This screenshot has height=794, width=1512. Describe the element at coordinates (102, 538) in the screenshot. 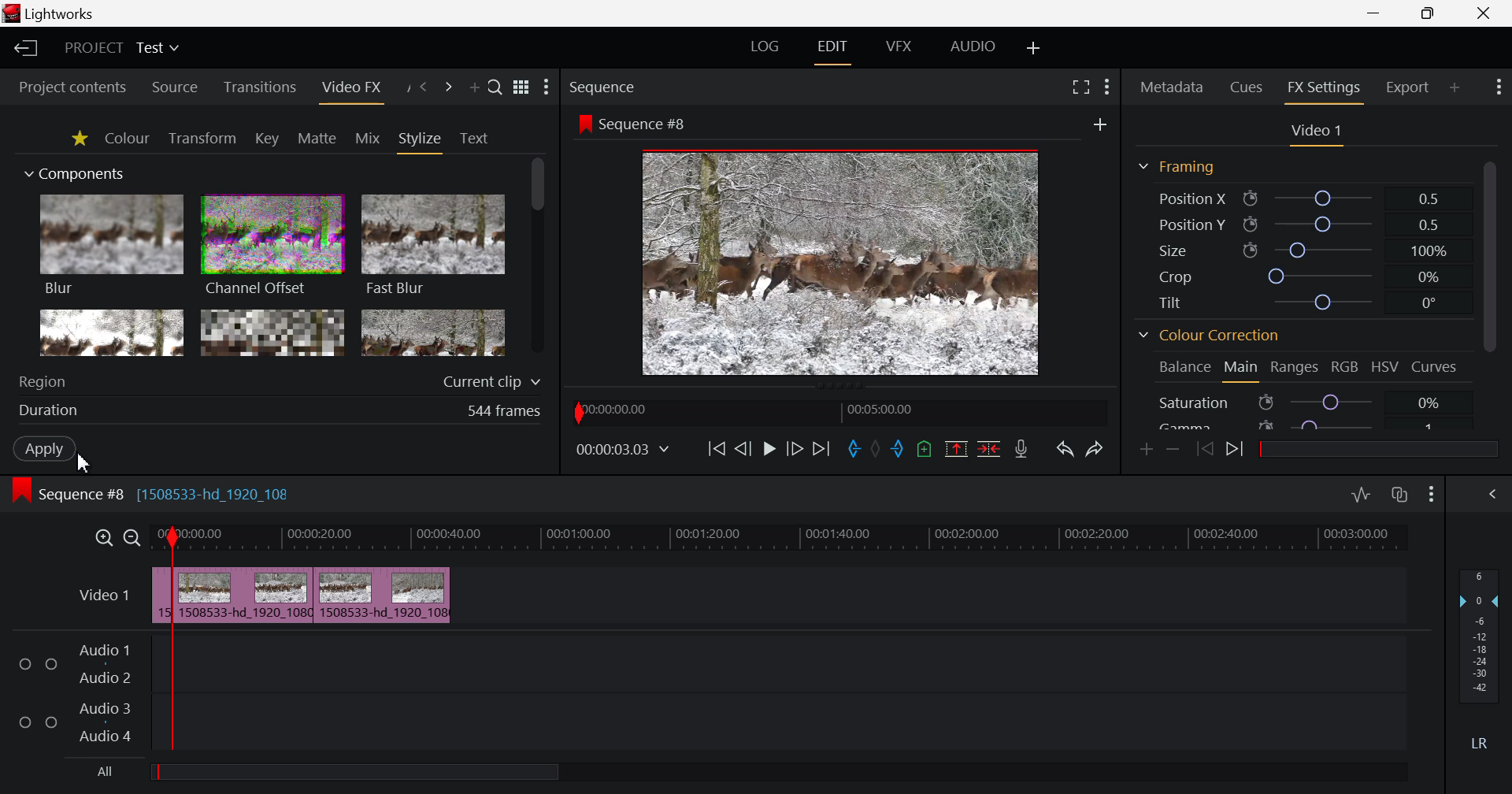

I see `Timeline Zoom In` at that location.